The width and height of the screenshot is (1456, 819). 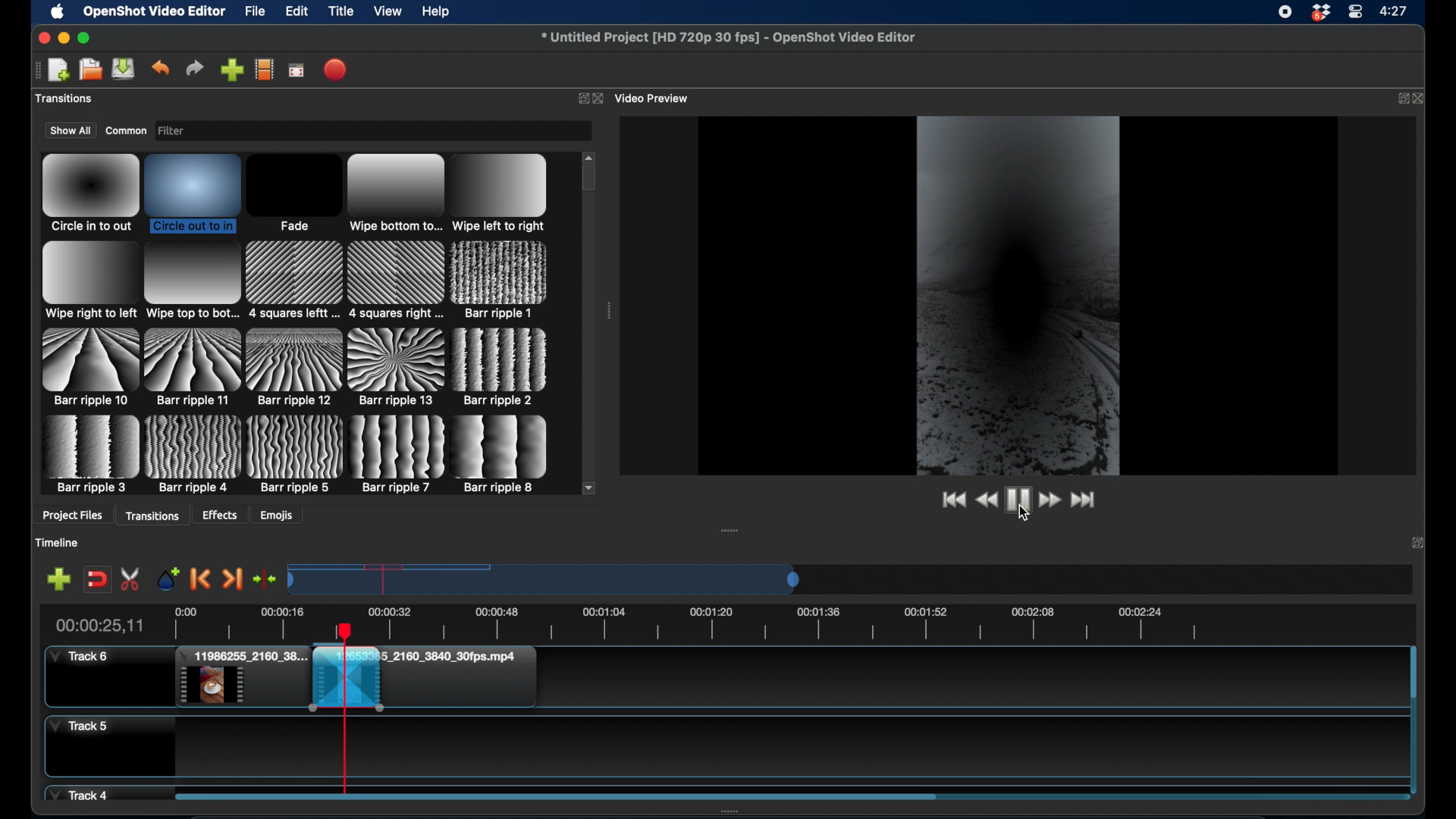 I want to click on save project, so click(x=124, y=69).